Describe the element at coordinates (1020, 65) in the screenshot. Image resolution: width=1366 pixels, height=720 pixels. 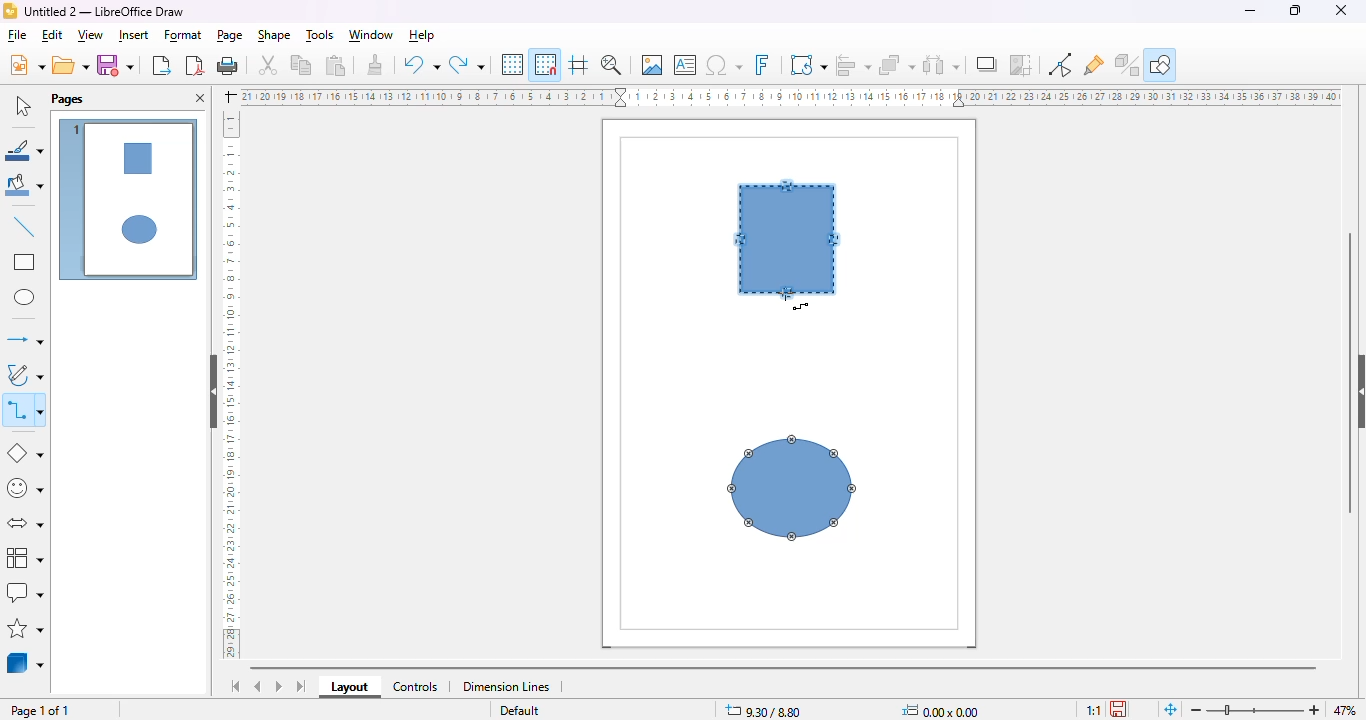
I see `crop image` at that location.